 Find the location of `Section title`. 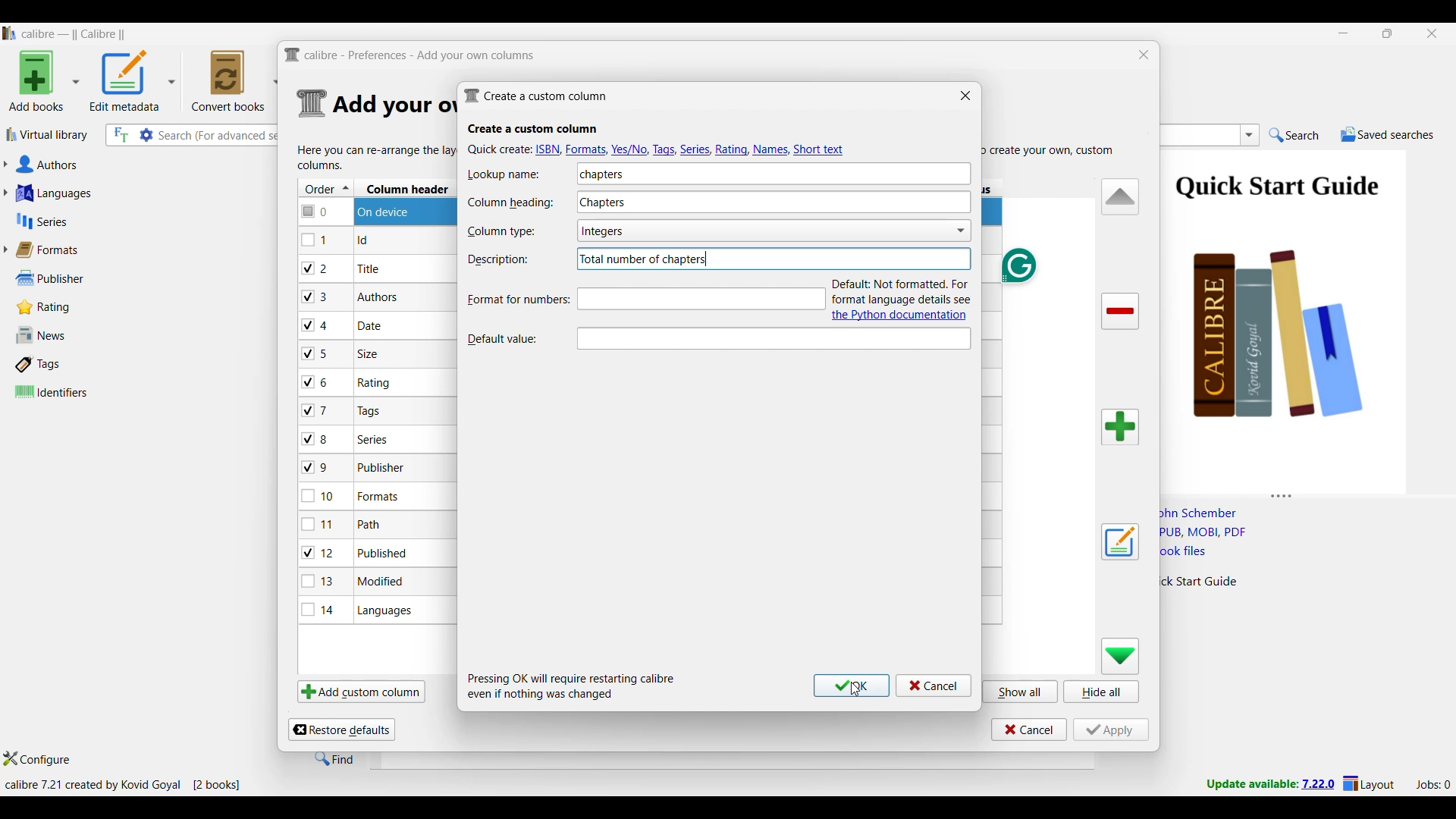

Section title is located at coordinates (533, 129).